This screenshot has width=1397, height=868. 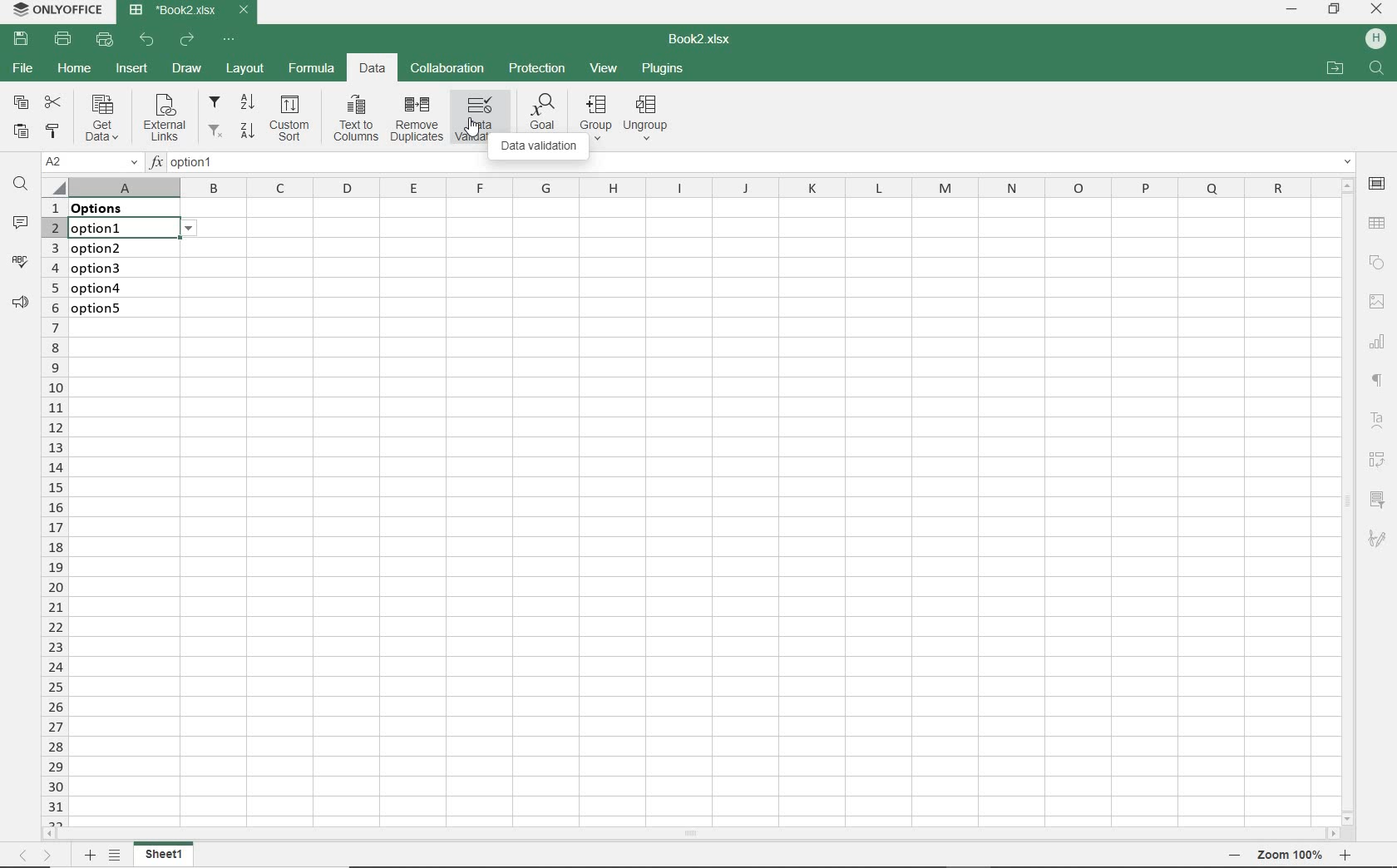 What do you see at coordinates (1292, 855) in the screenshot?
I see `Zoom 100%` at bounding box center [1292, 855].